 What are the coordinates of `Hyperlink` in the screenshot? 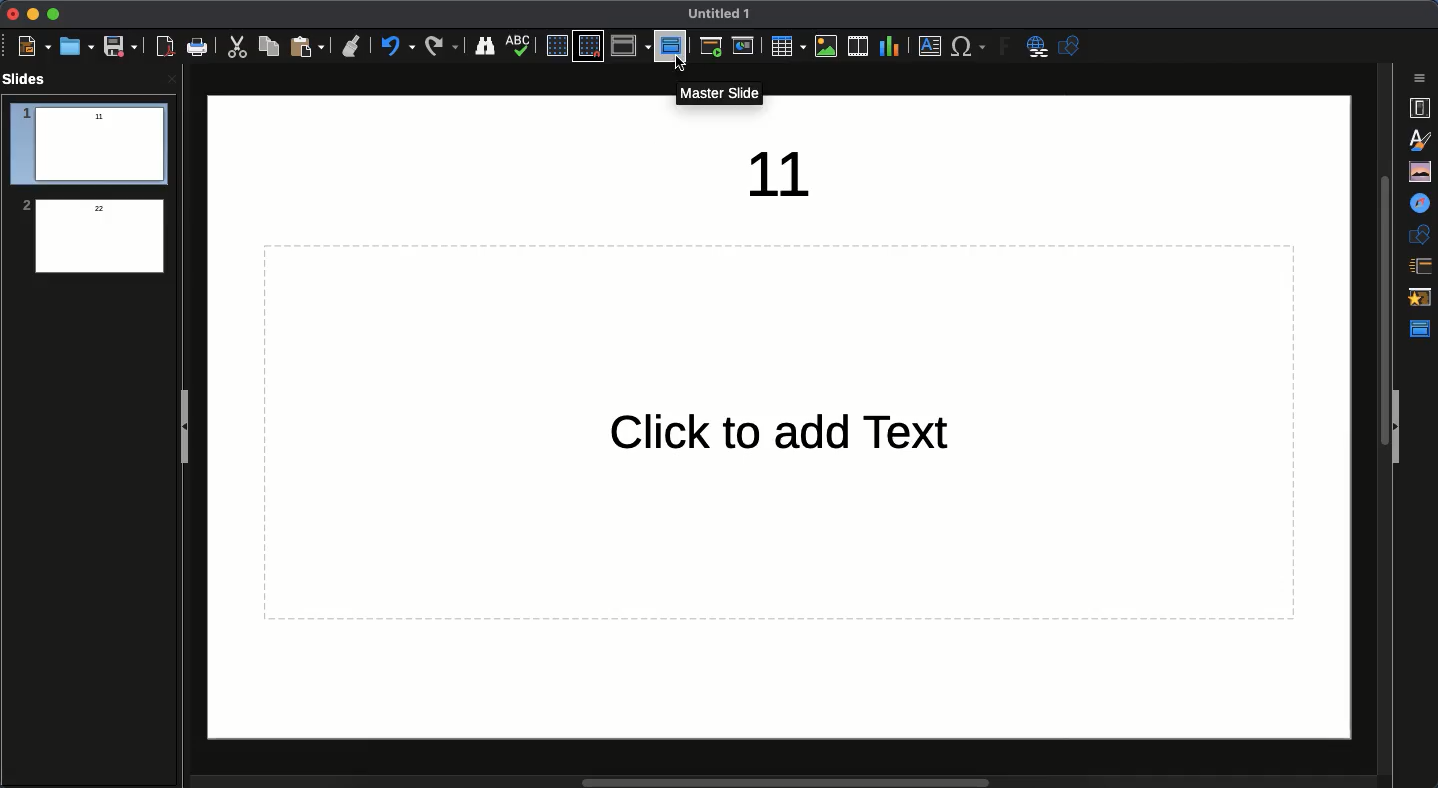 It's located at (1040, 48).